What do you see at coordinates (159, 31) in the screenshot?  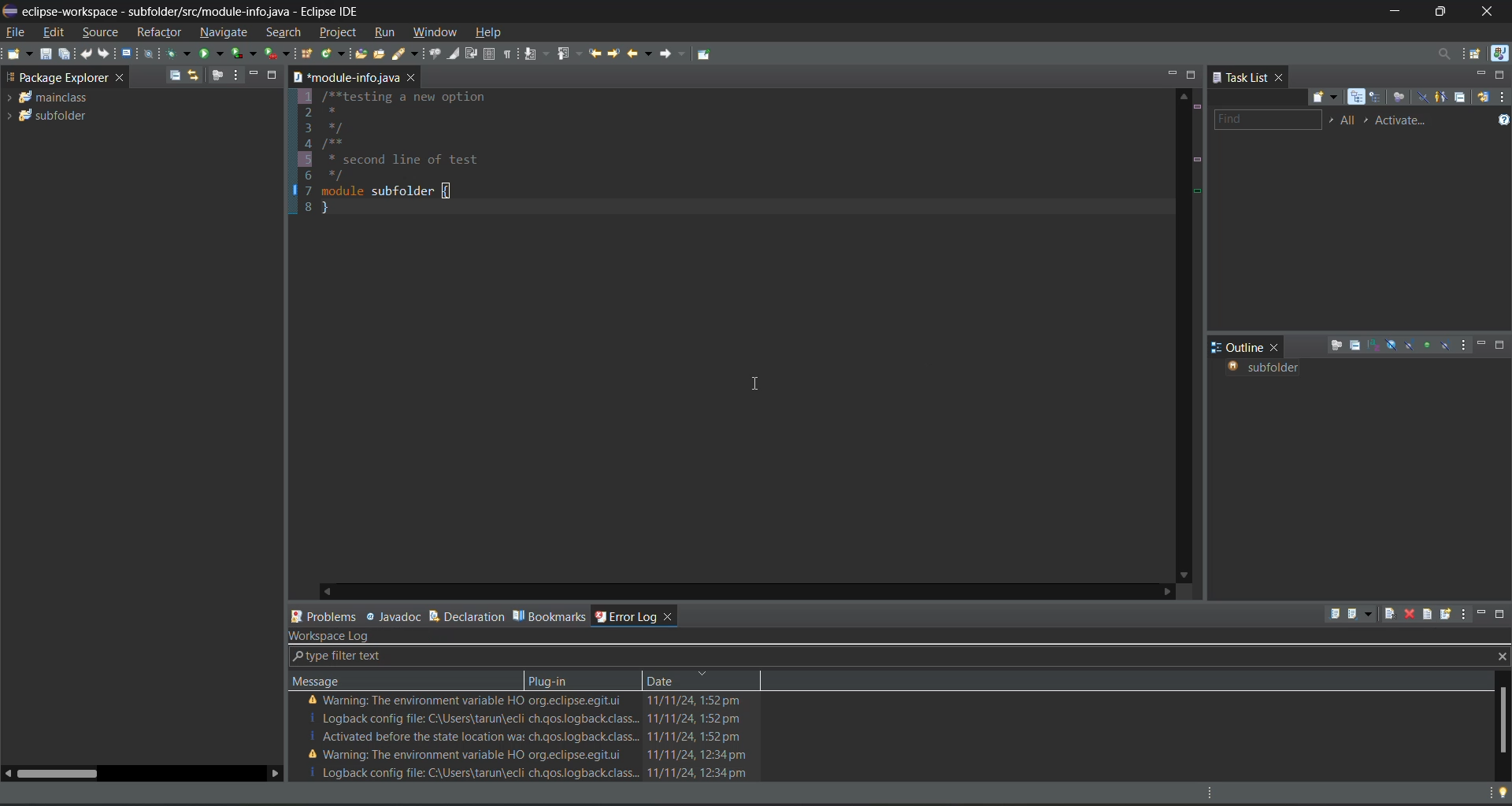 I see `refractor` at bounding box center [159, 31].